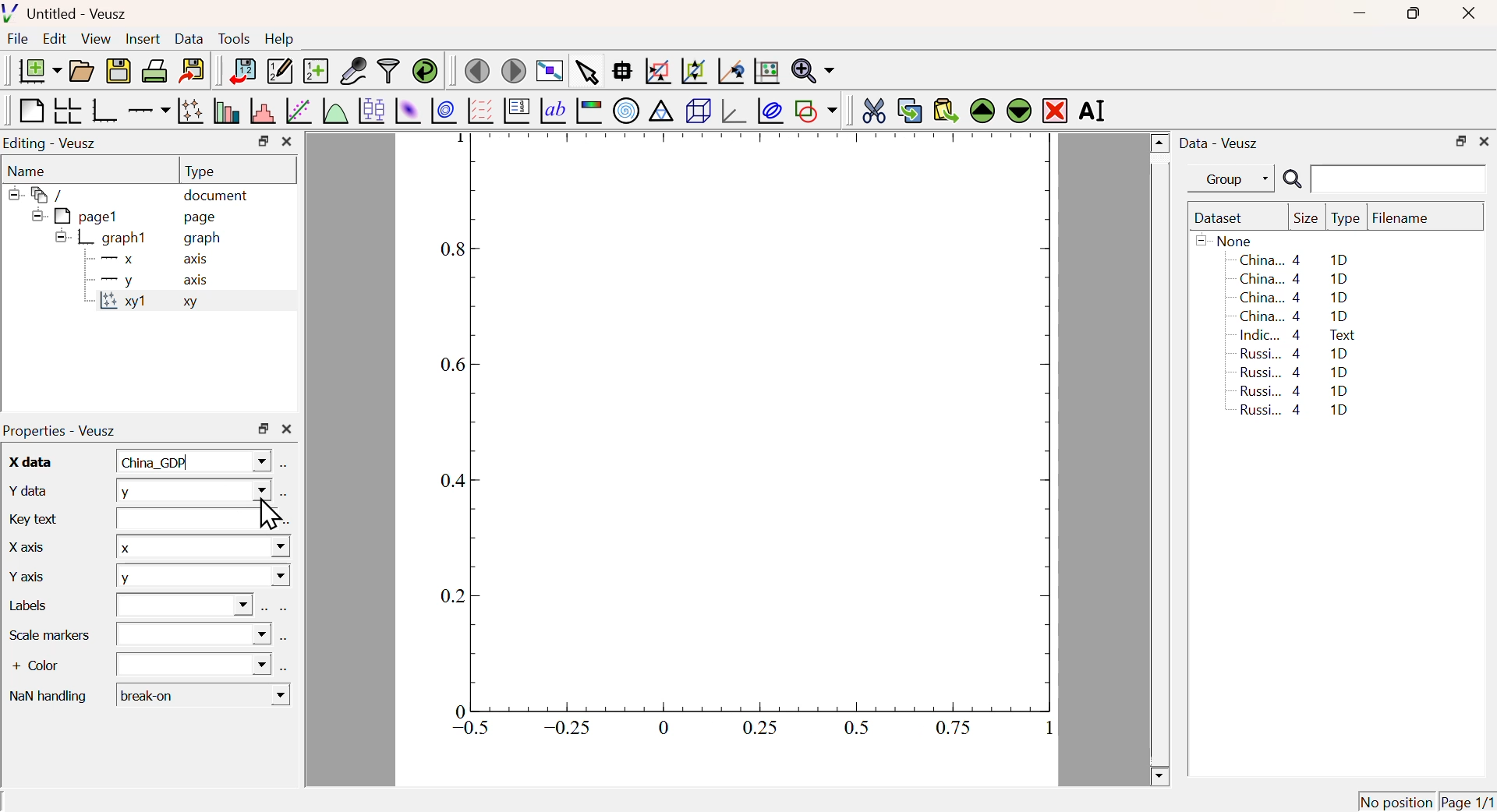 Image resolution: width=1497 pixels, height=812 pixels. I want to click on Key text, so click(35, 517).